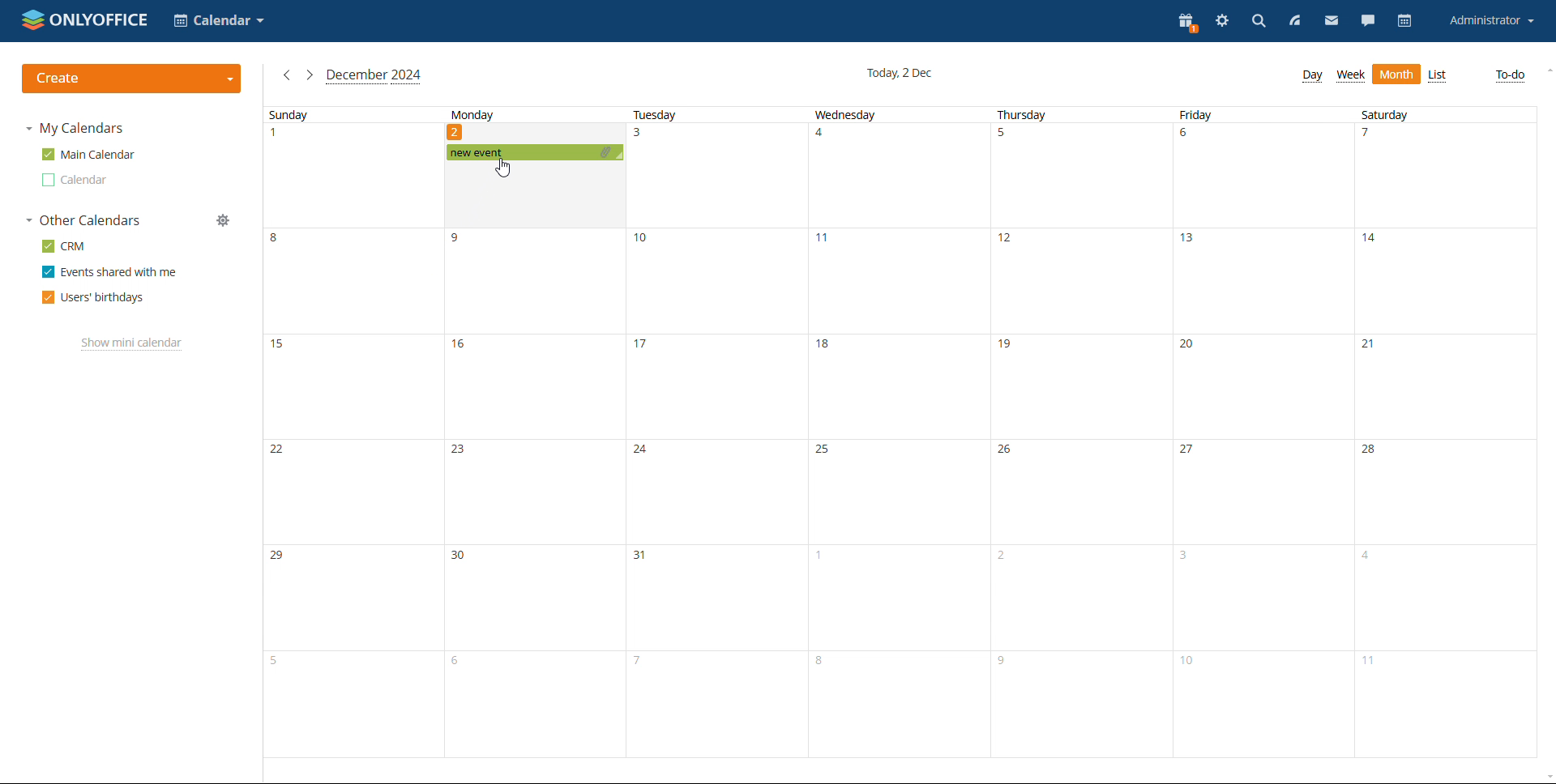  What do you see at coordinates (643, 556) in the screenshot?
I see `31` at bounding box center [643, 556].